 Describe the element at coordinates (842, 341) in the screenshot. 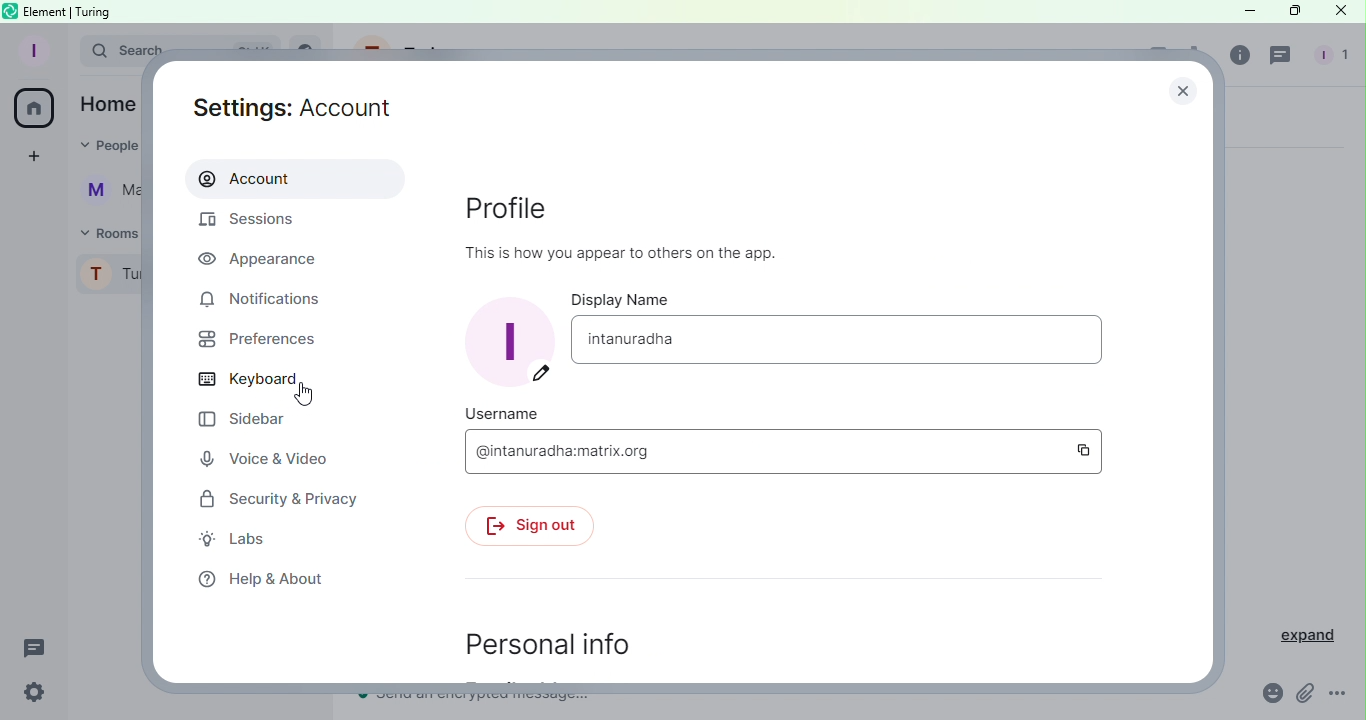

I see `Display name - intanuradha` at that location.